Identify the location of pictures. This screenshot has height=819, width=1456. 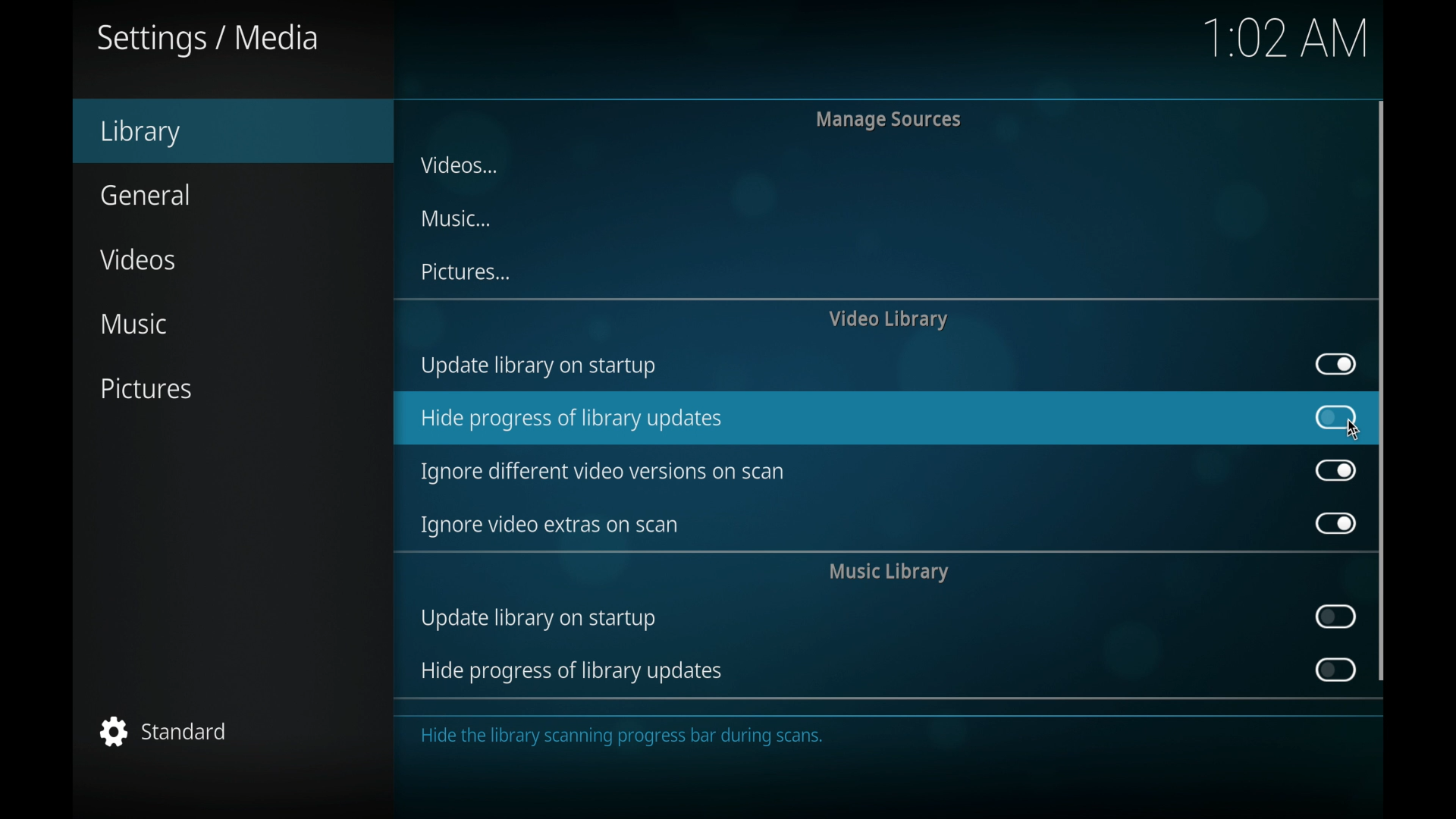
(464, 272).